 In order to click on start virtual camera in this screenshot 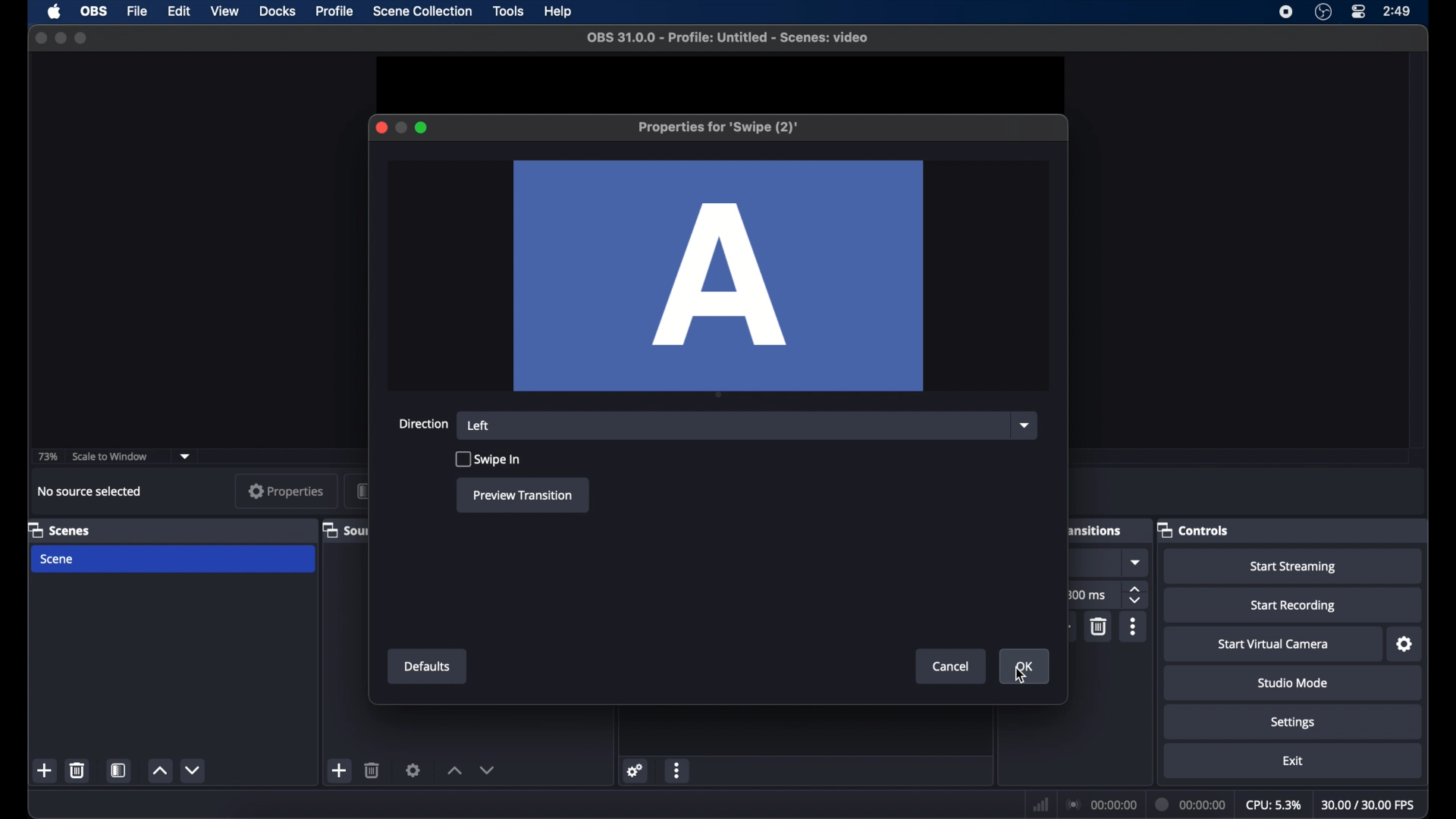, I will do `click(1273, 645)`.